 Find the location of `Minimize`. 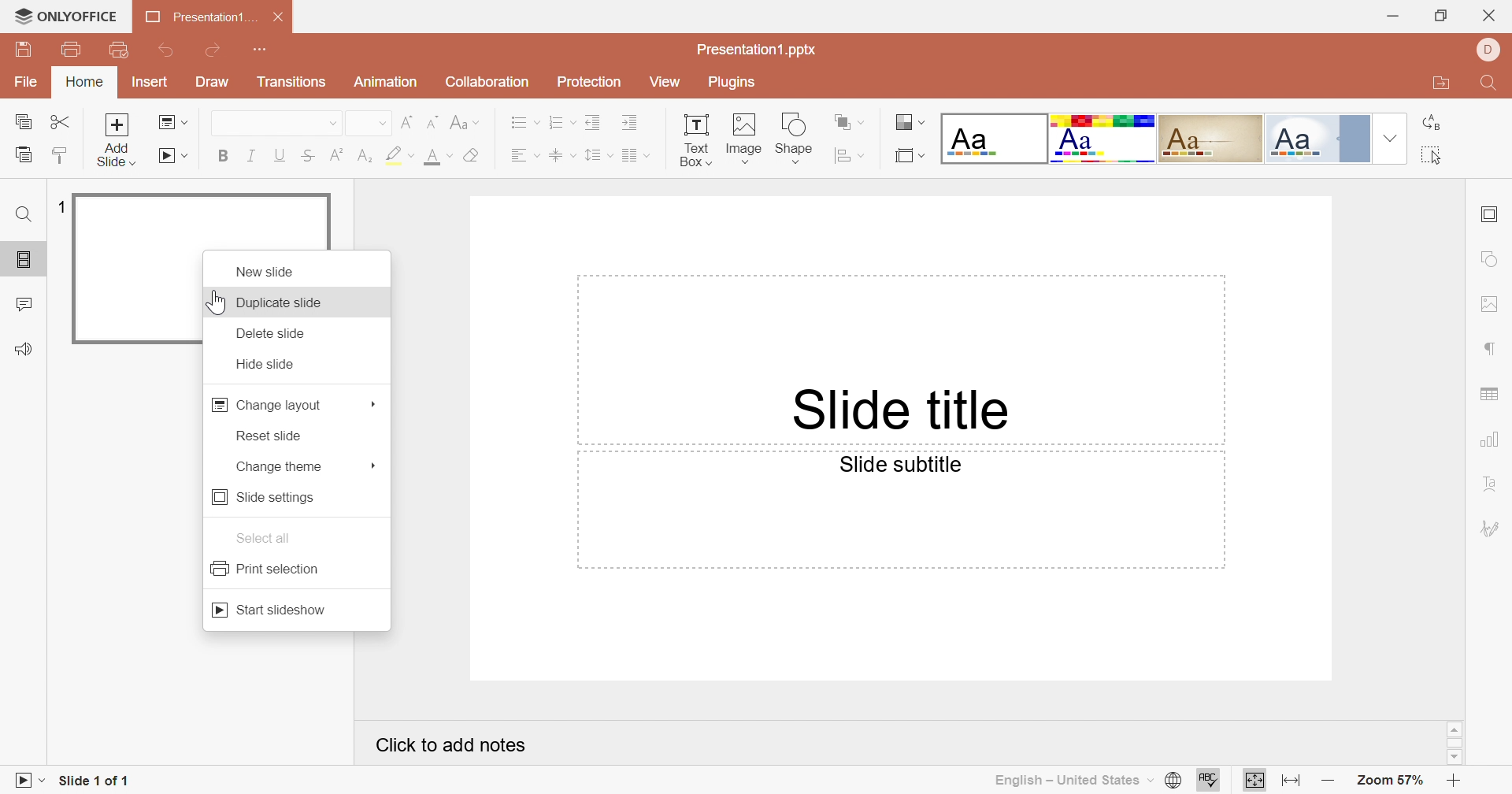

Minimize is located at coordinates (1388, 16).